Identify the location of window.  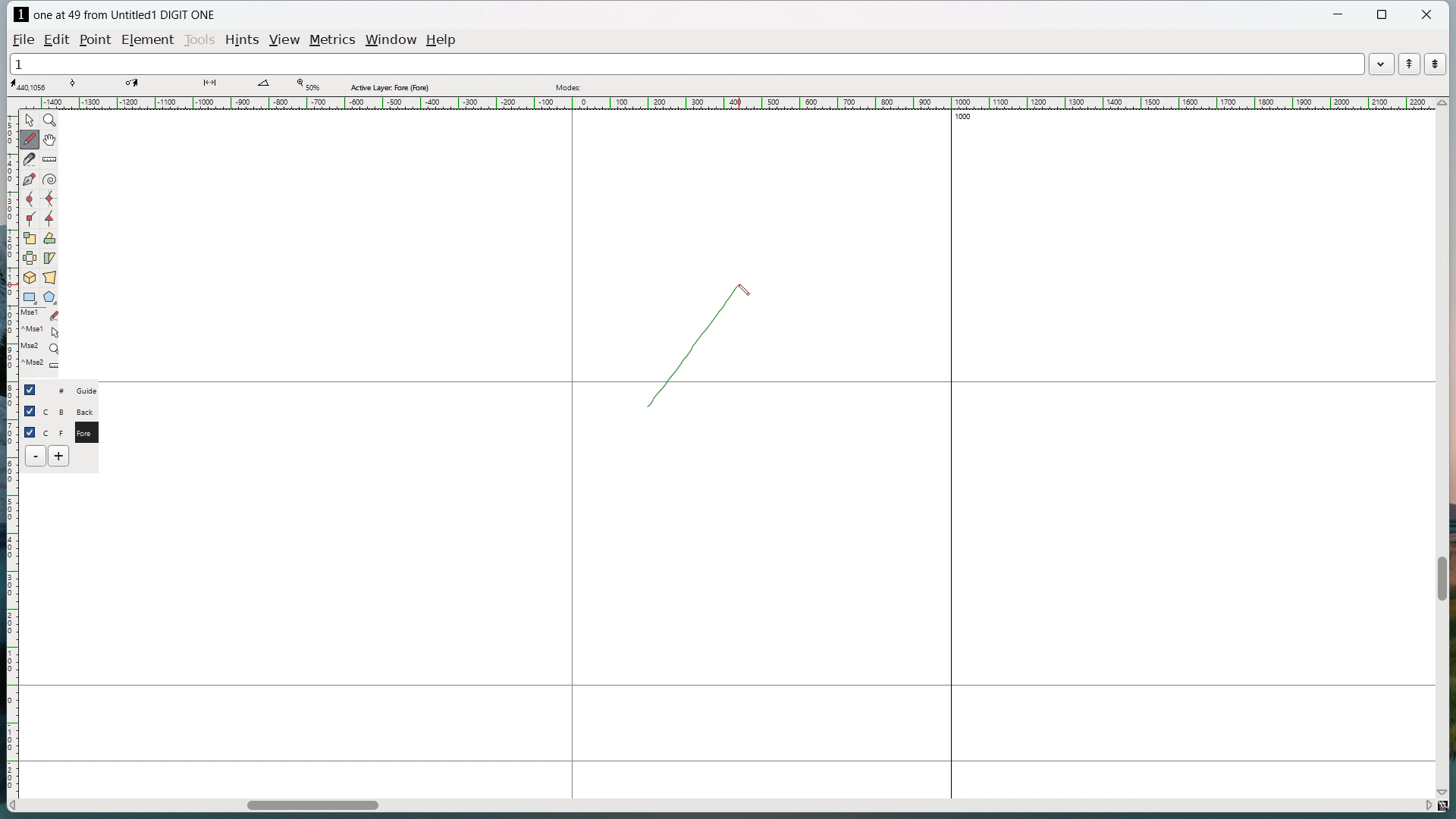
(393, 39).